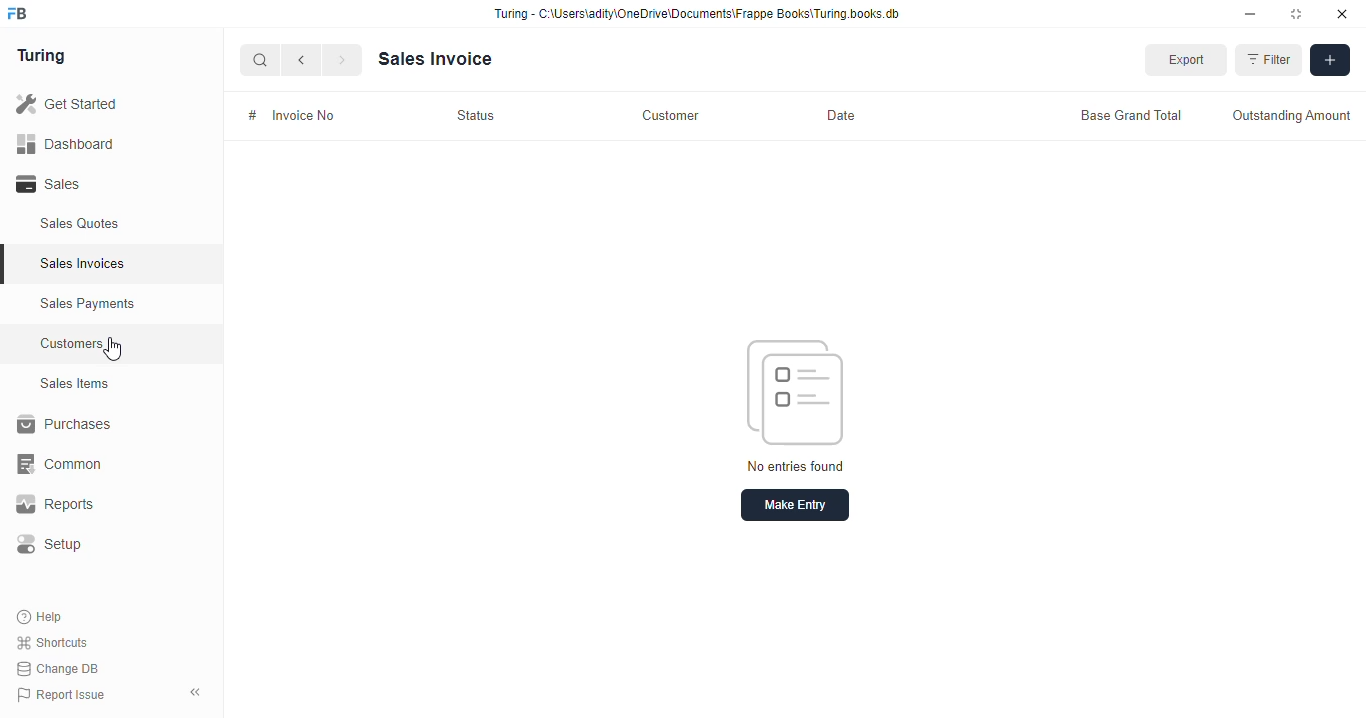  Describe the element at coordinates (91, 505) in the screenshot. I see `Reports` at that location.